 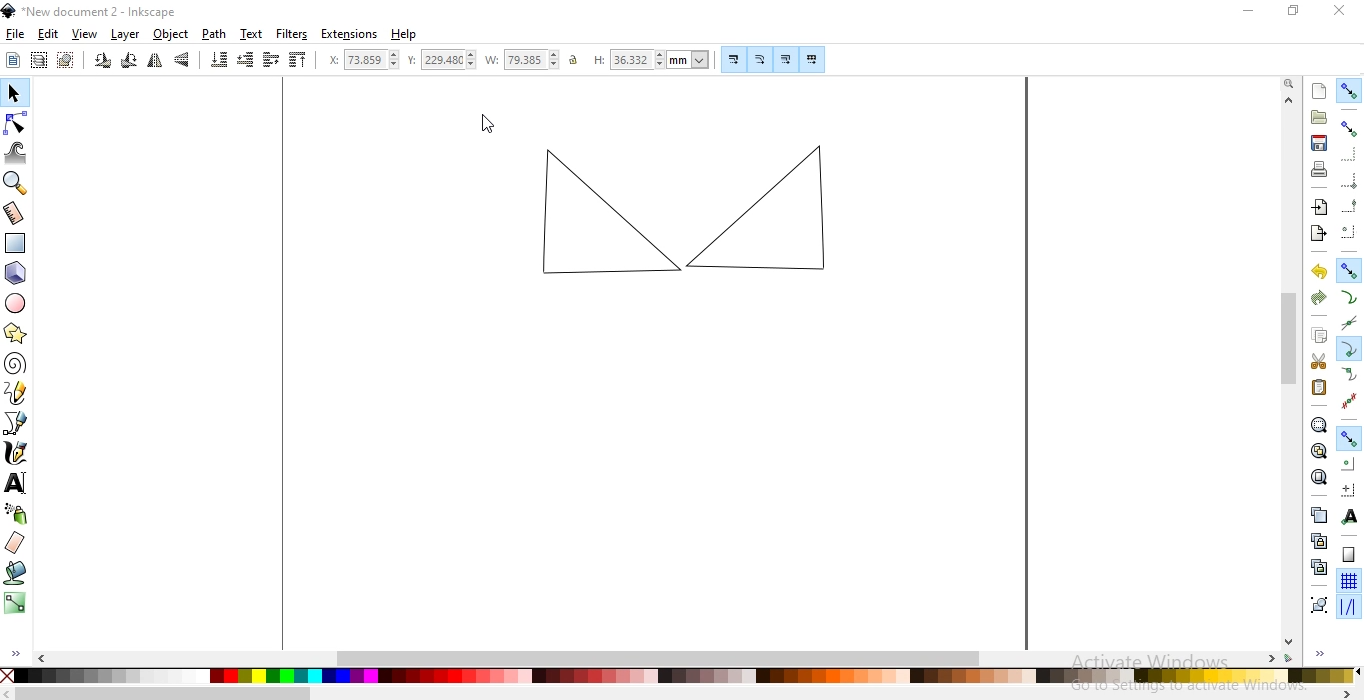 What do you see at coordinates (17, 543) in the screenshot?
I see `erase existing paths` at bounding box center [17, 543].